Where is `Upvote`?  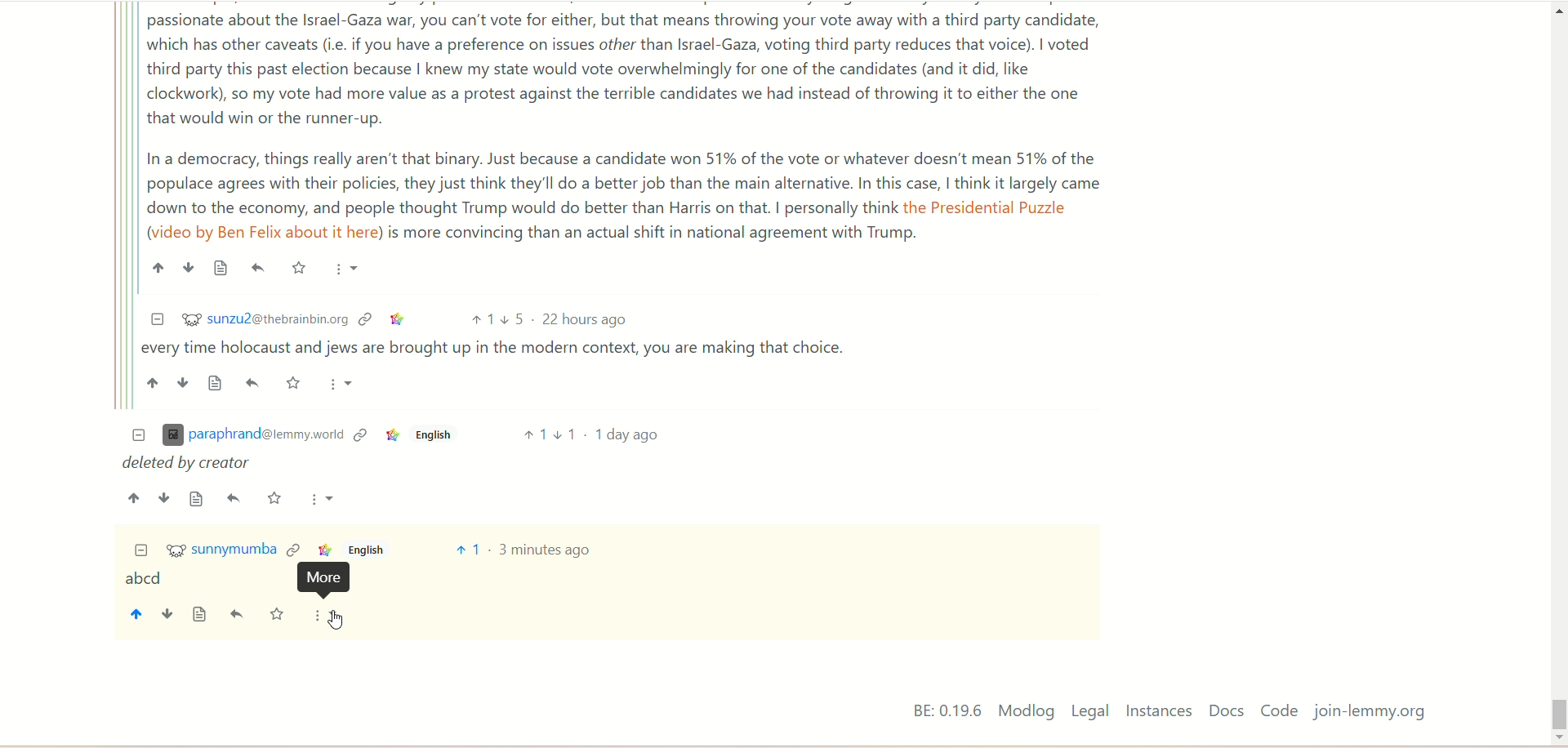
Upvote is located at coordinates (481, 320).